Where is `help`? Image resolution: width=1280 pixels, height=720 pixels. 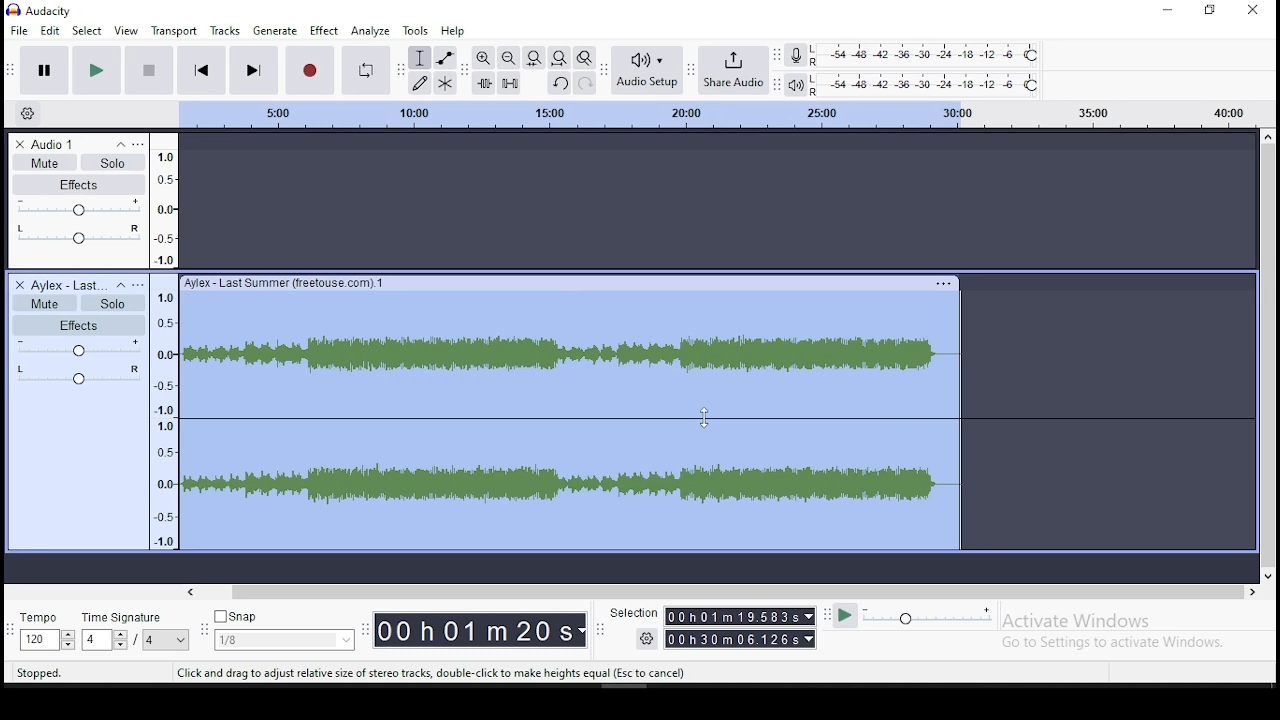 help is located at coordinates (453, 31).